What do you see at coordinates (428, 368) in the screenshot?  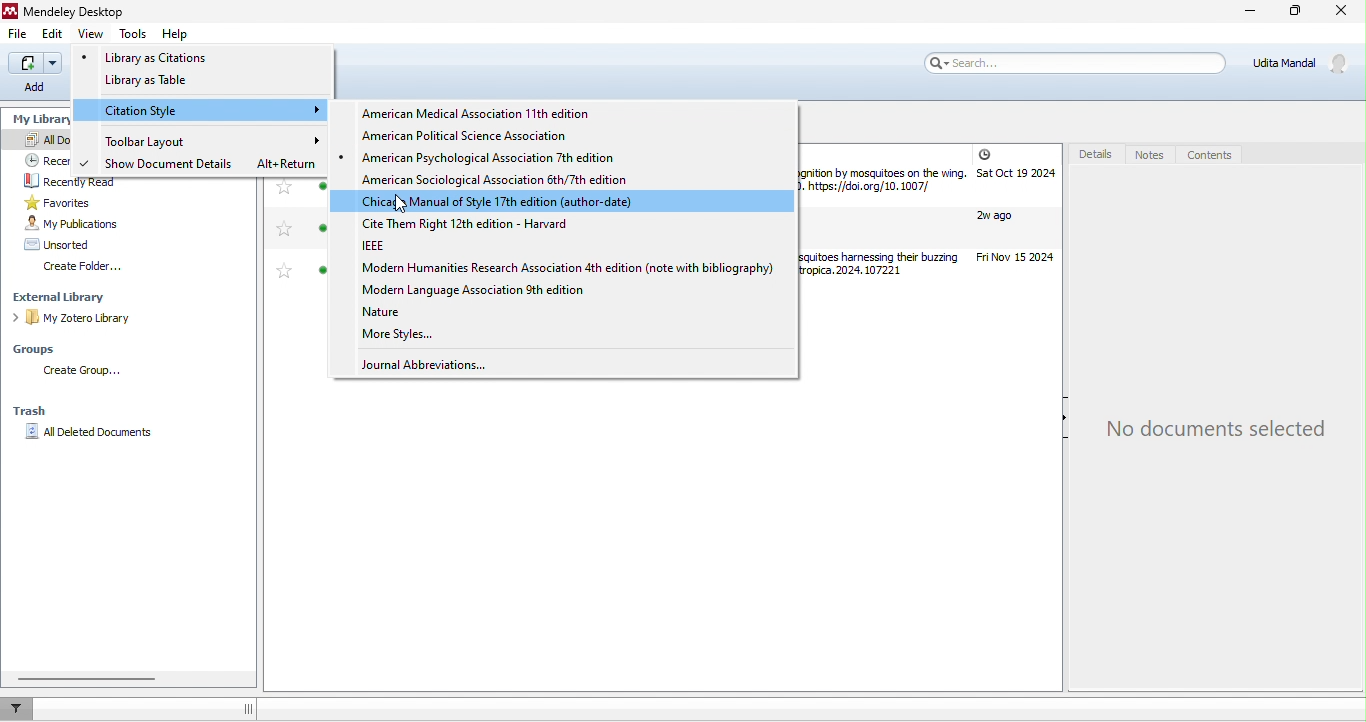 I see `journal abbreviations` at bounding box center [428, 368].